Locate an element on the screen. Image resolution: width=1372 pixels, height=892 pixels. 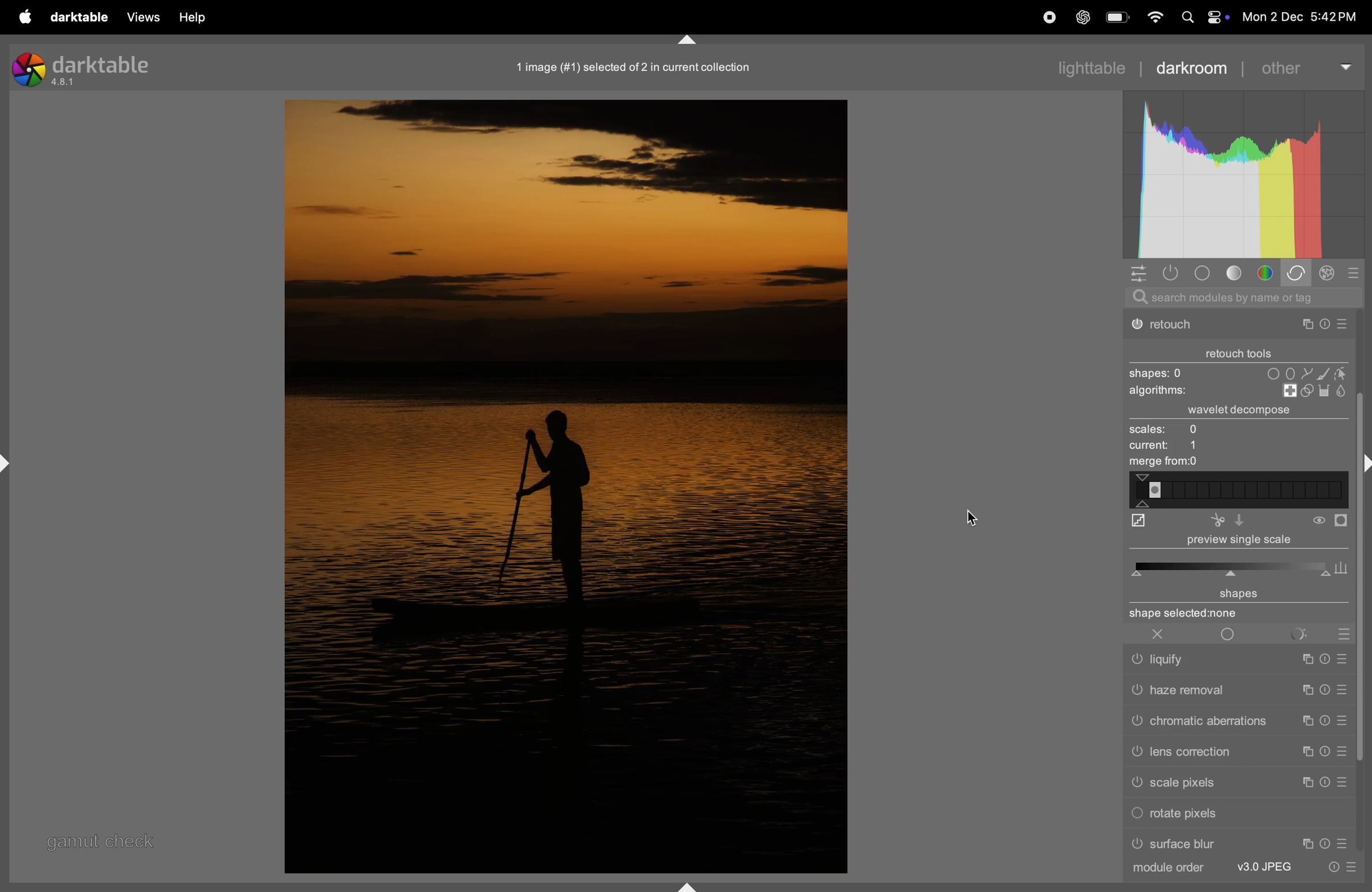
apple menu is located at coordinates (28, 17).